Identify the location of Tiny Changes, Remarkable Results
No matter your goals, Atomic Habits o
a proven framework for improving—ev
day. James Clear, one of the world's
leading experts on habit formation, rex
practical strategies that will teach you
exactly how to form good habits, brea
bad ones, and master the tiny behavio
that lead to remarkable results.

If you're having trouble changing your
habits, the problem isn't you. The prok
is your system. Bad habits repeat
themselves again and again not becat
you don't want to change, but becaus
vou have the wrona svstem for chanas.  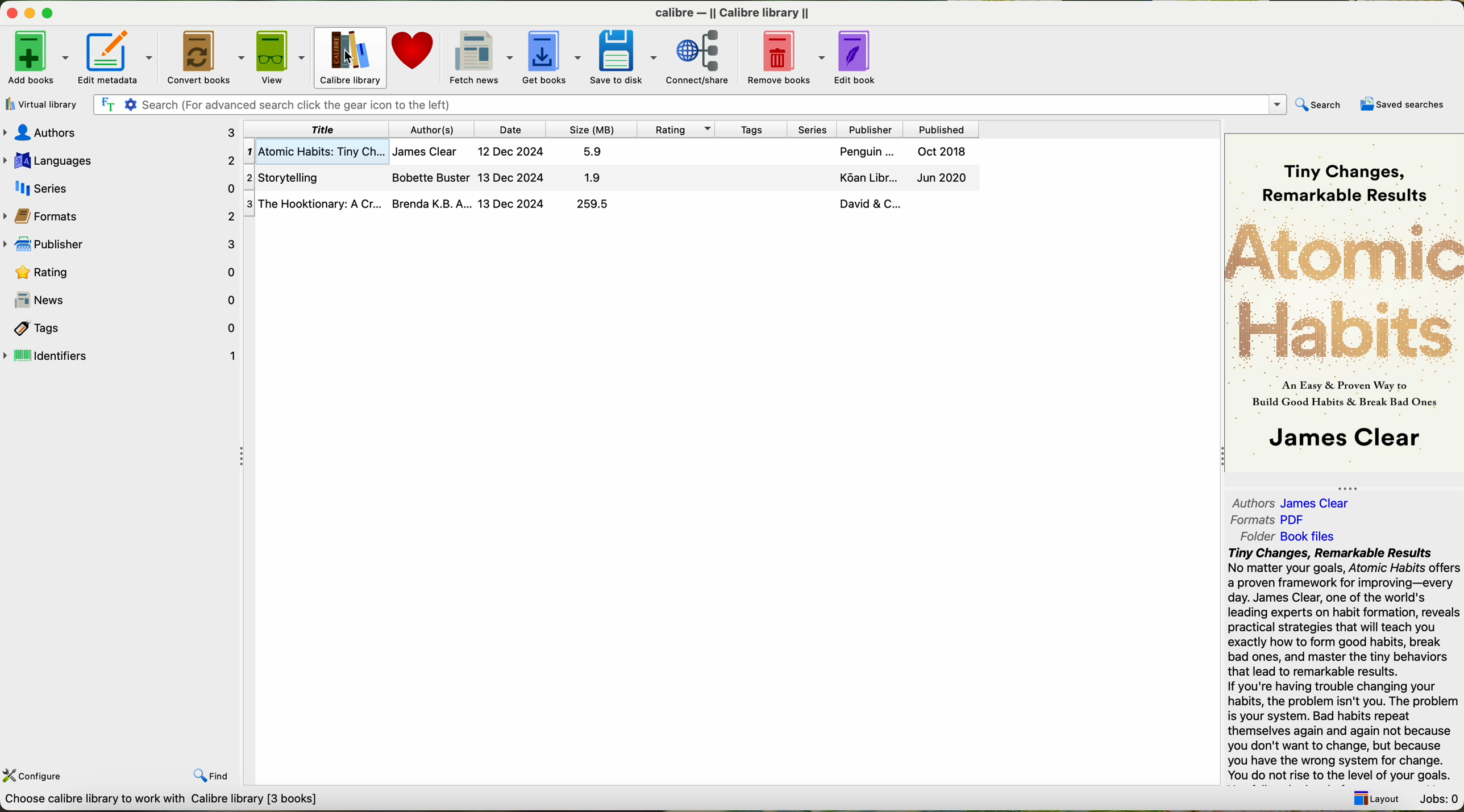
(1342, 663).